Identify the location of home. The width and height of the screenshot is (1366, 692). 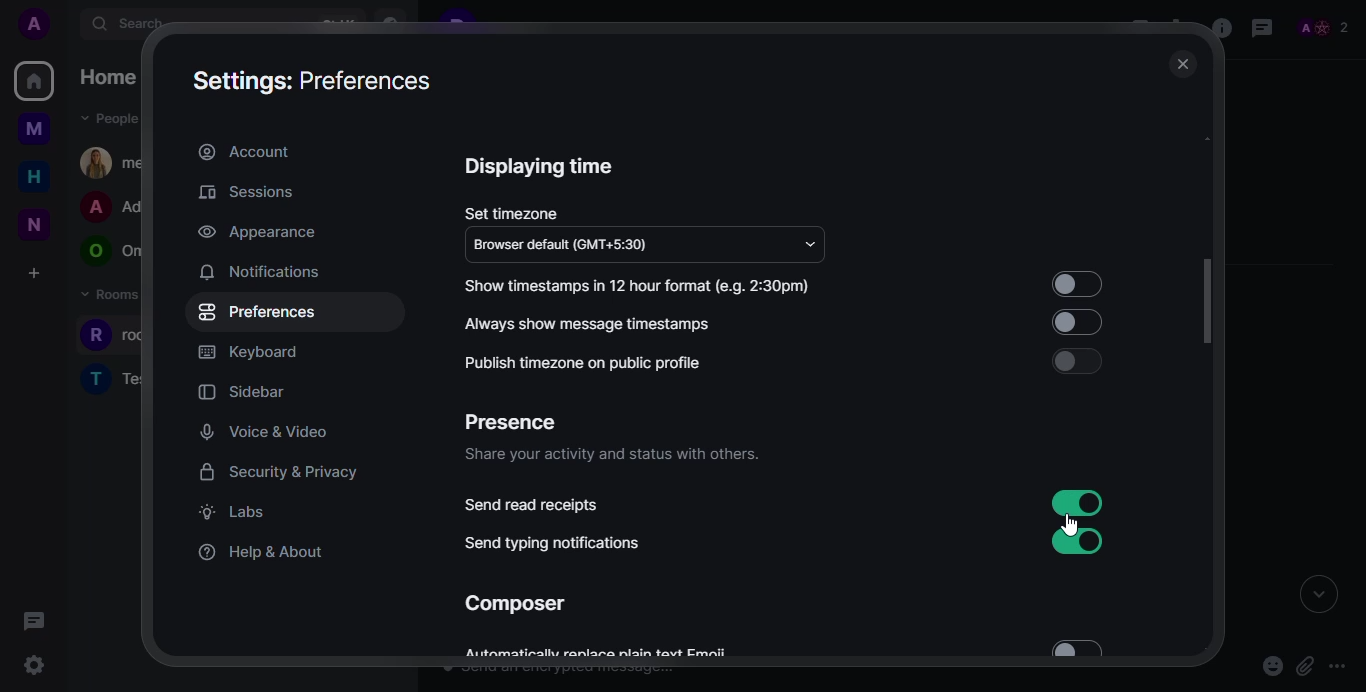
(35, 81).